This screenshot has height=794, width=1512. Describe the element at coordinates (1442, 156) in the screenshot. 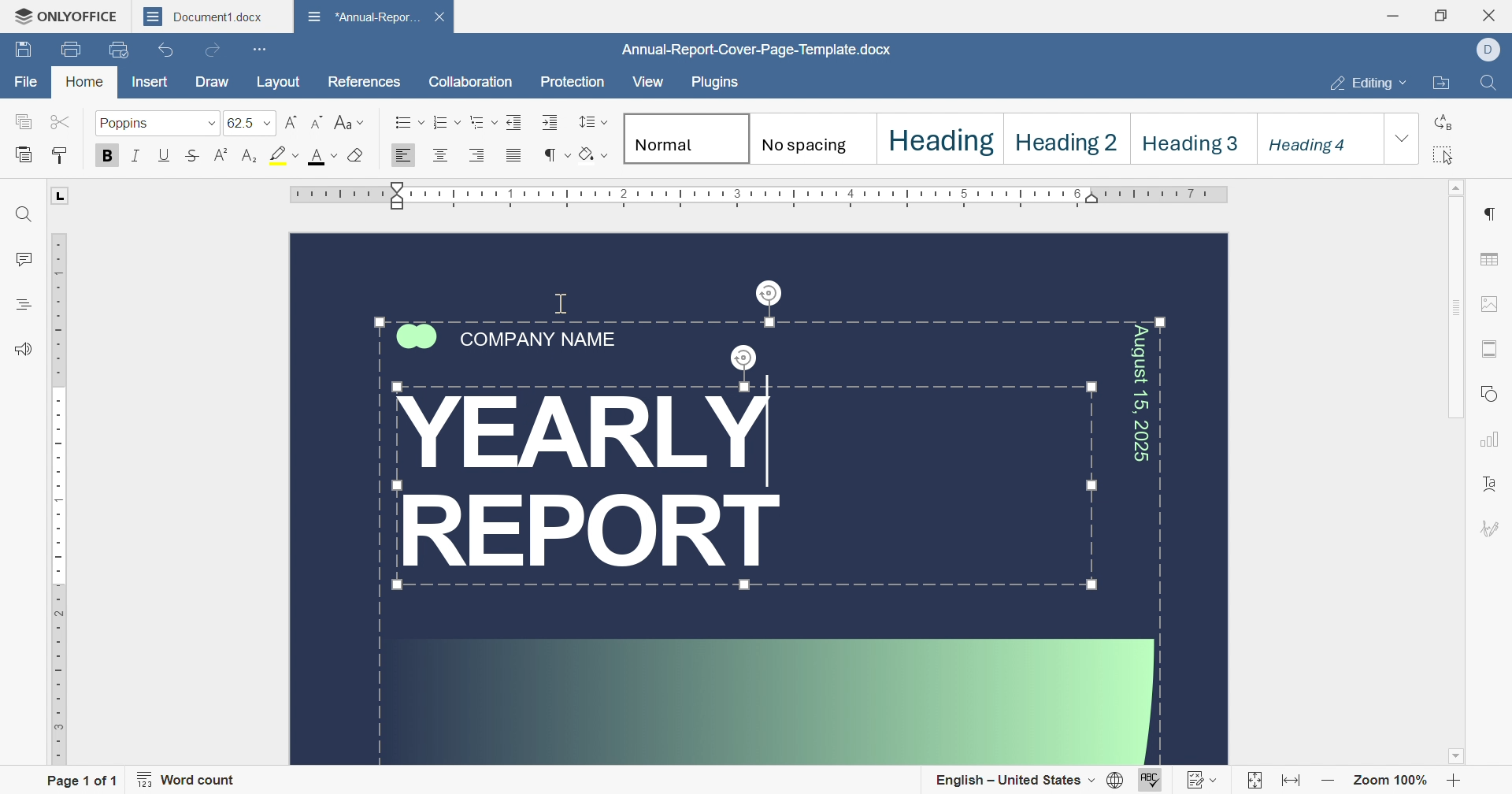

I see `select all` at that location.